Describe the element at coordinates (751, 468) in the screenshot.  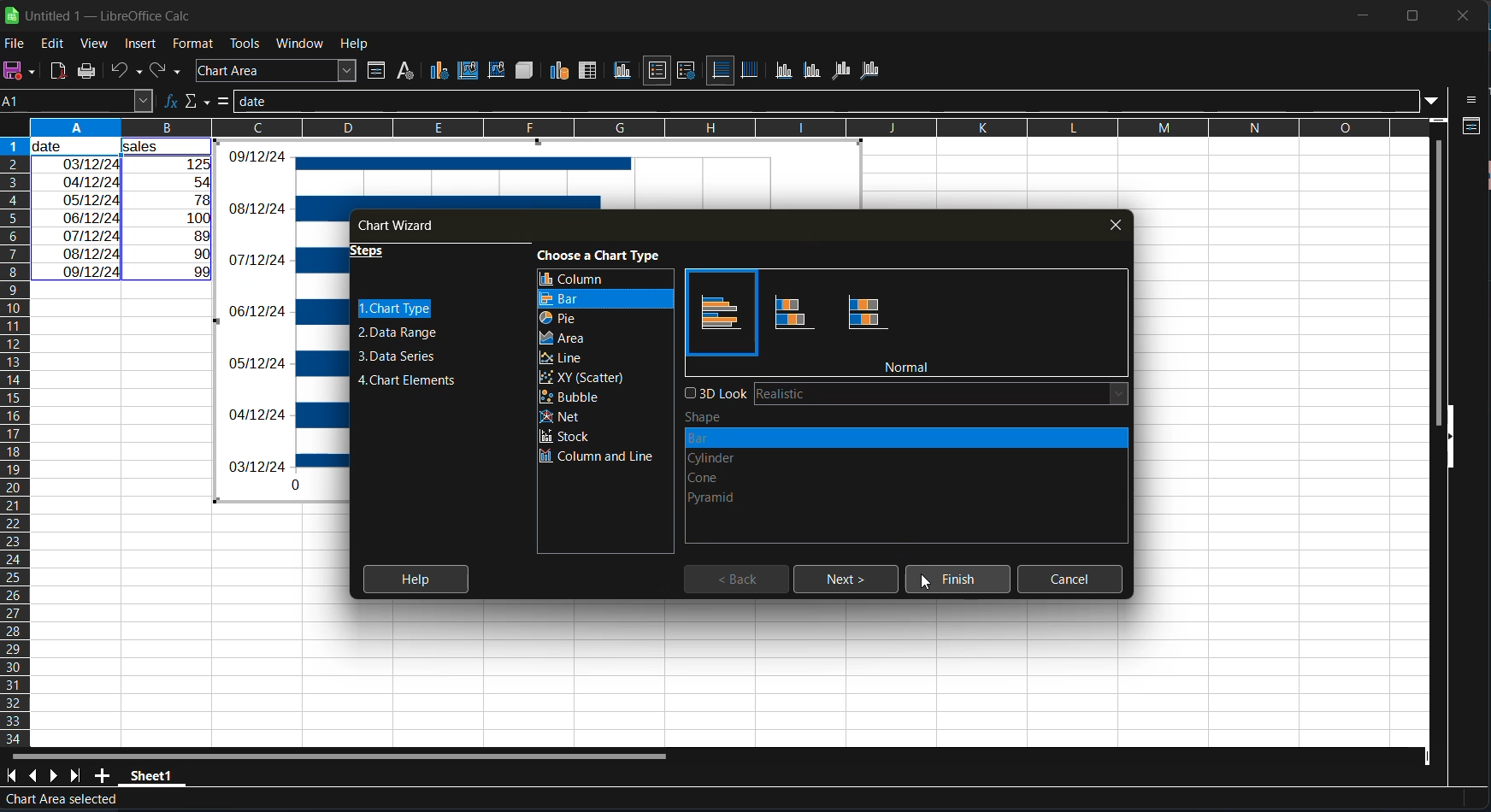
I see `type of shapes` at that location.